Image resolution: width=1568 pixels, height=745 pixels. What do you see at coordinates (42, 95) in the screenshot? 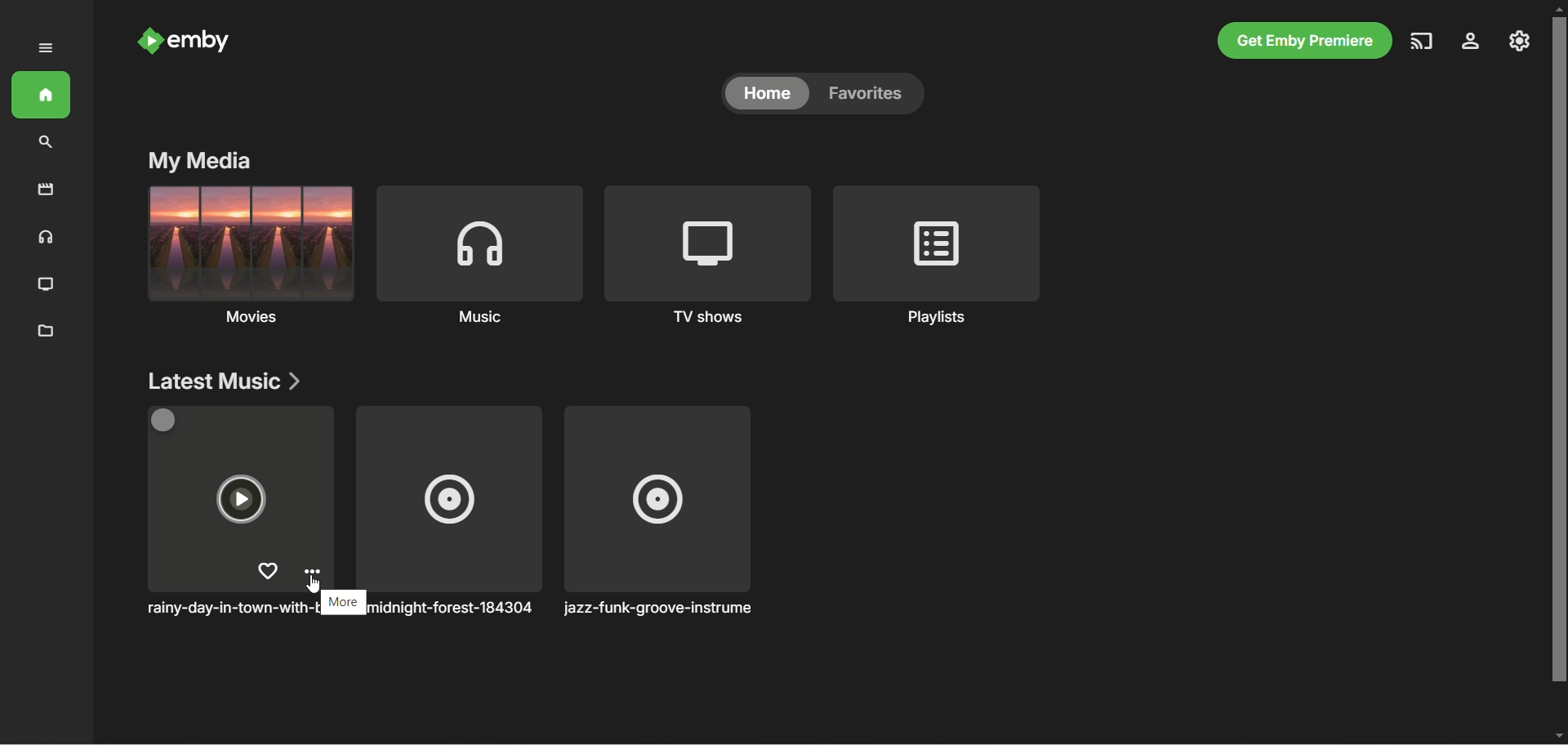
I see `home` at bounding box center [42, 95].